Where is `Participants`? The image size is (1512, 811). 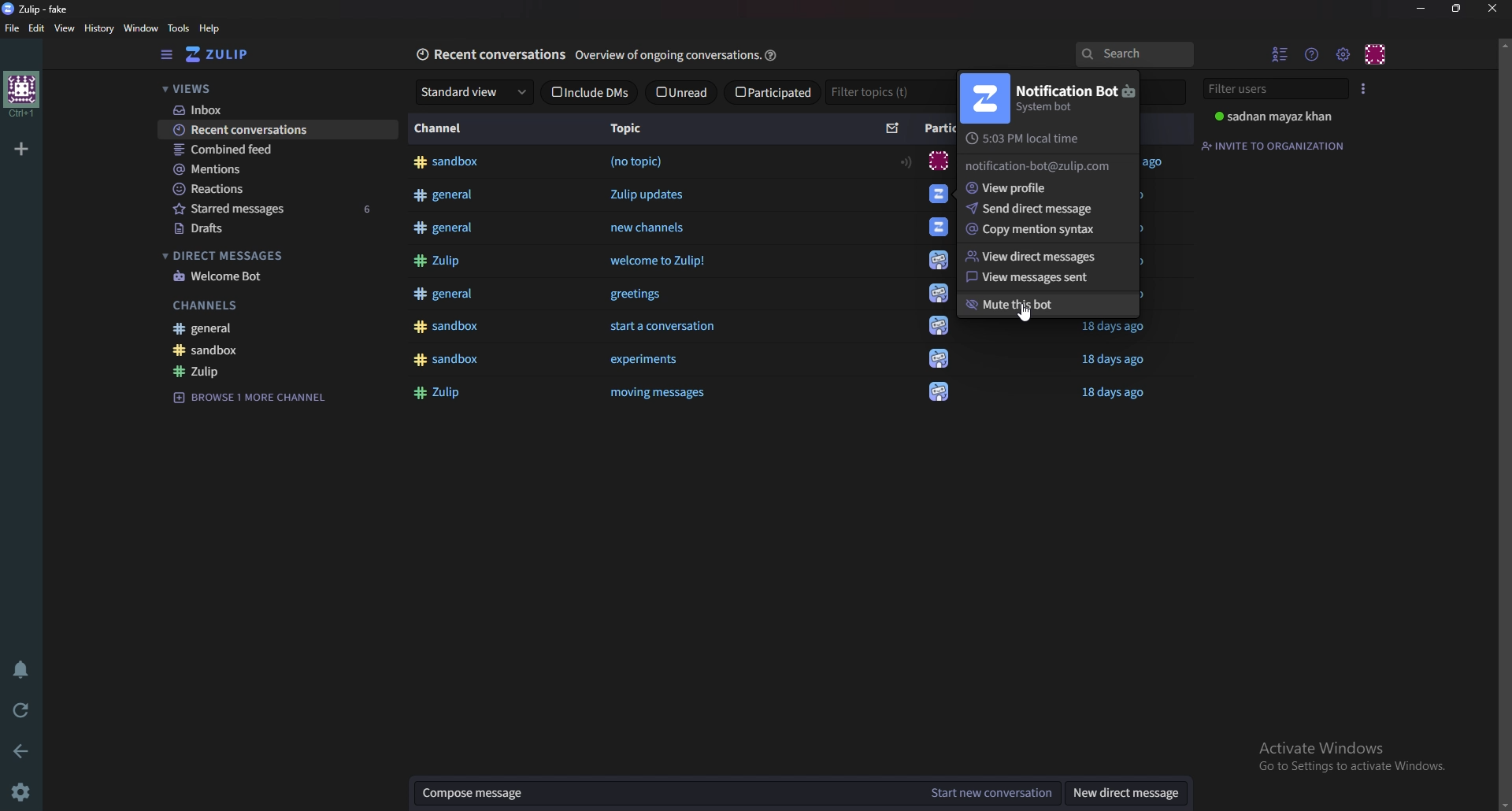
Participants is located at coordinates (938, 127).